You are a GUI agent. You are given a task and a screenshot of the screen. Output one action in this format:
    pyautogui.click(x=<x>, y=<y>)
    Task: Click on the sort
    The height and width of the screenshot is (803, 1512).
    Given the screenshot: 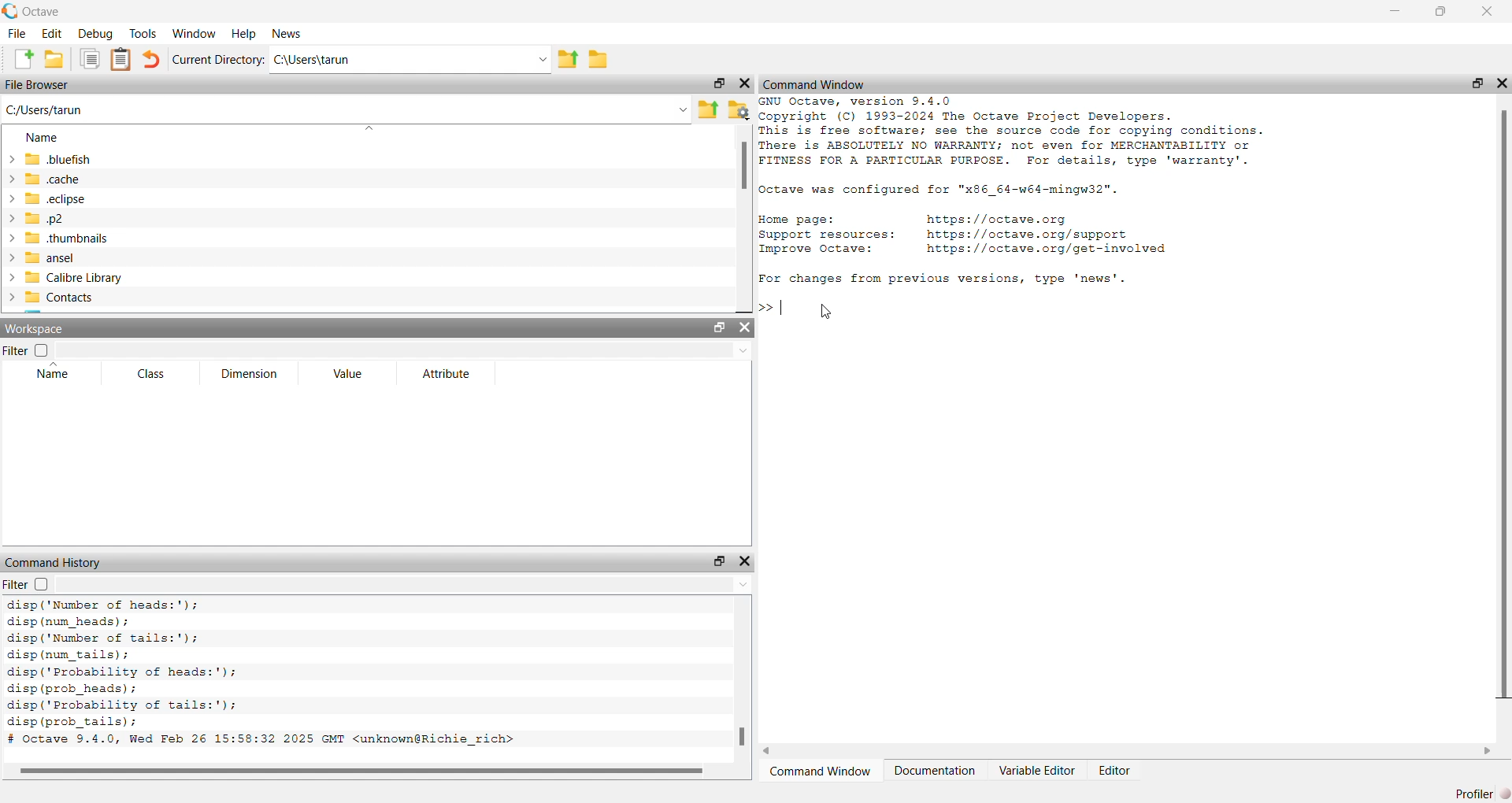 What is the action you would take?
    pyautogui.click(x=369, y=128)
    